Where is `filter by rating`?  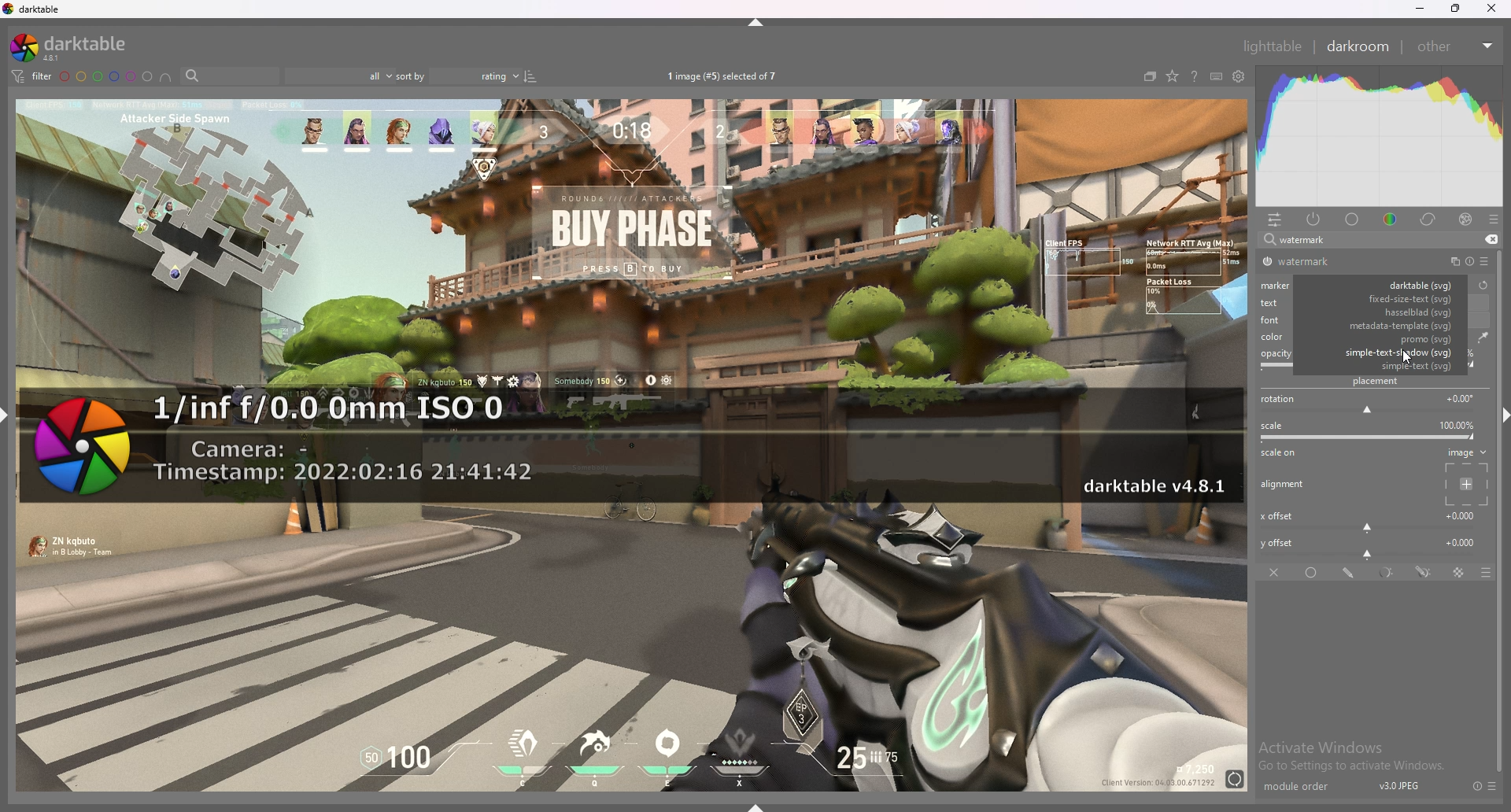
filter by rating is located at coordinates (338, 76).